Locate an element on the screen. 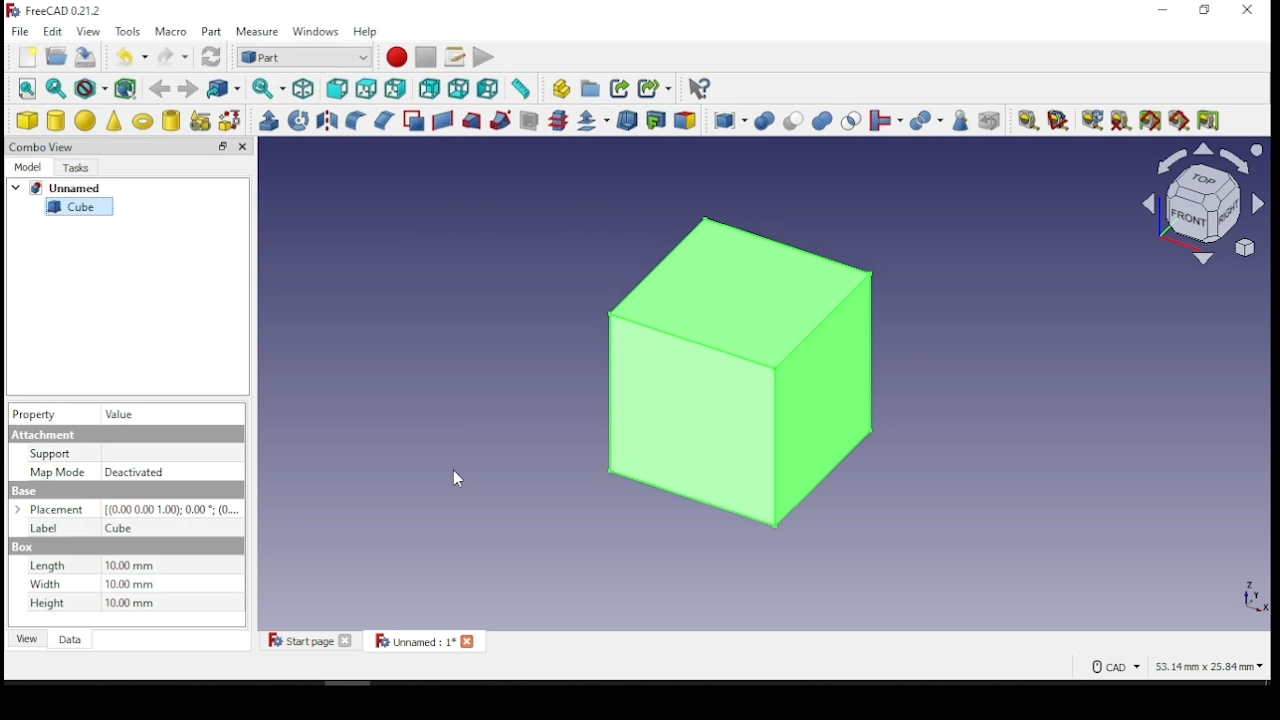  measure angular is located at coordinates (1058, 121).